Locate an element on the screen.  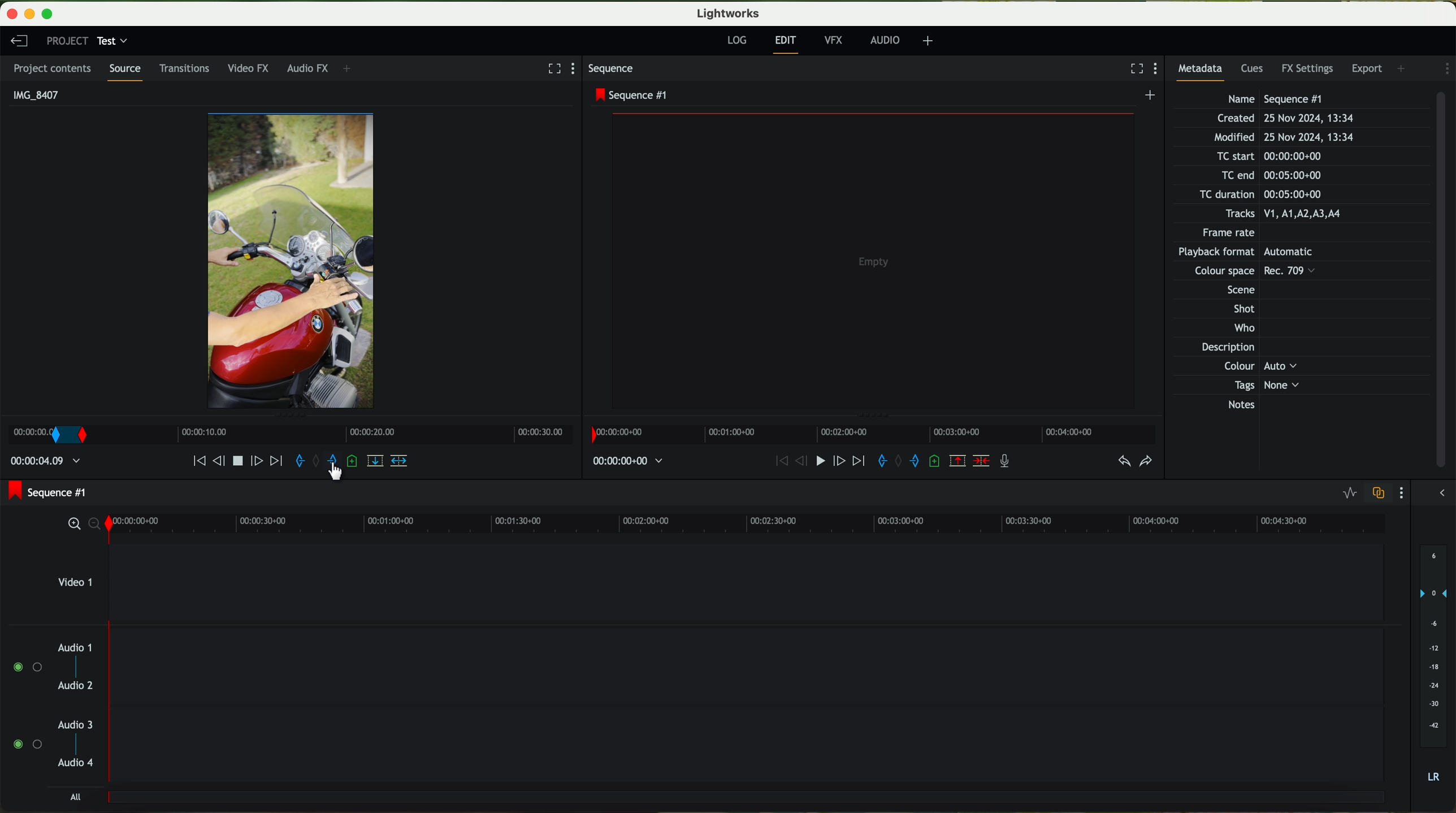
Timeline is located at coordinates (349, 433).